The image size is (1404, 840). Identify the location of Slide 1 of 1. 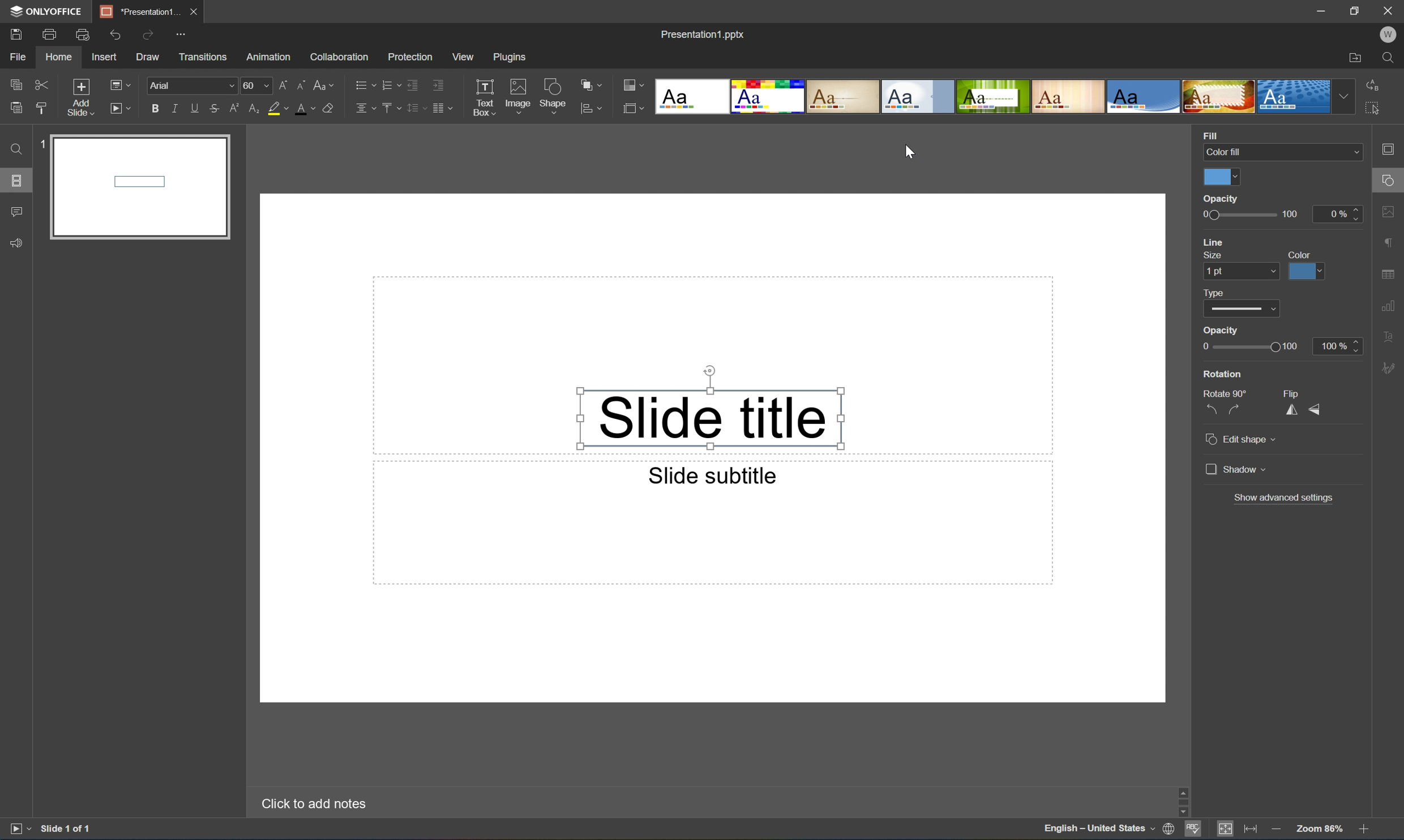
(70, 829).